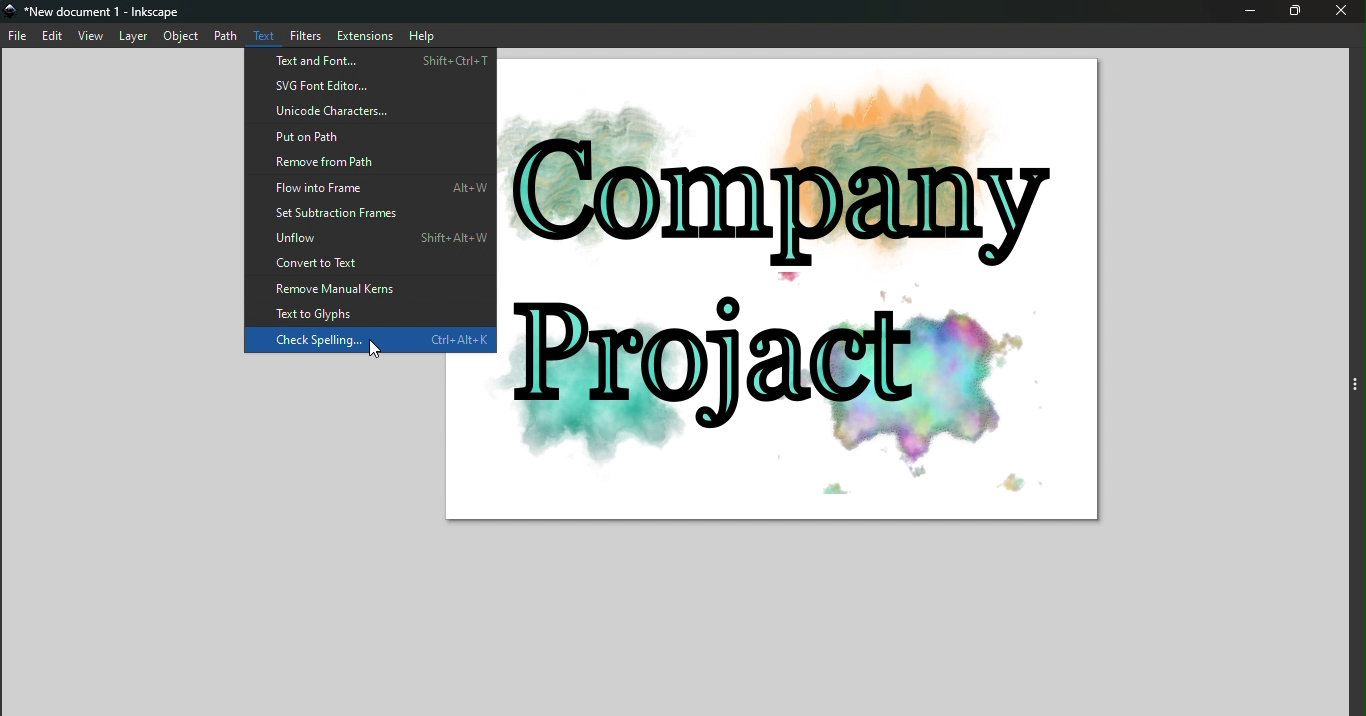  What do you see at coordinates (1354, 387) in the screenshot?
I see `toggle command panel` at bounding box center [1354, 387].